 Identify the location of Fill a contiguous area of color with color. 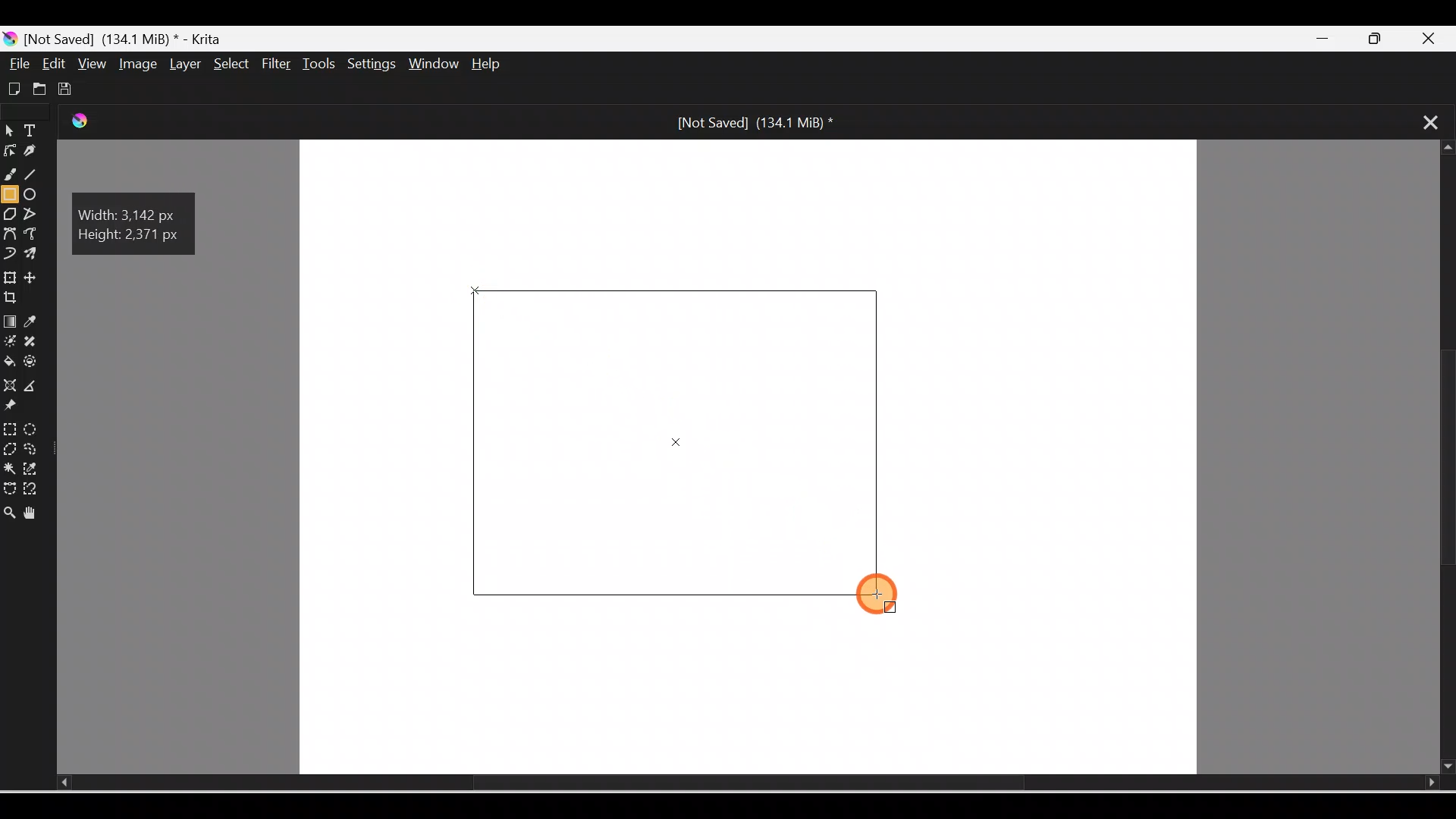
(10, 362).